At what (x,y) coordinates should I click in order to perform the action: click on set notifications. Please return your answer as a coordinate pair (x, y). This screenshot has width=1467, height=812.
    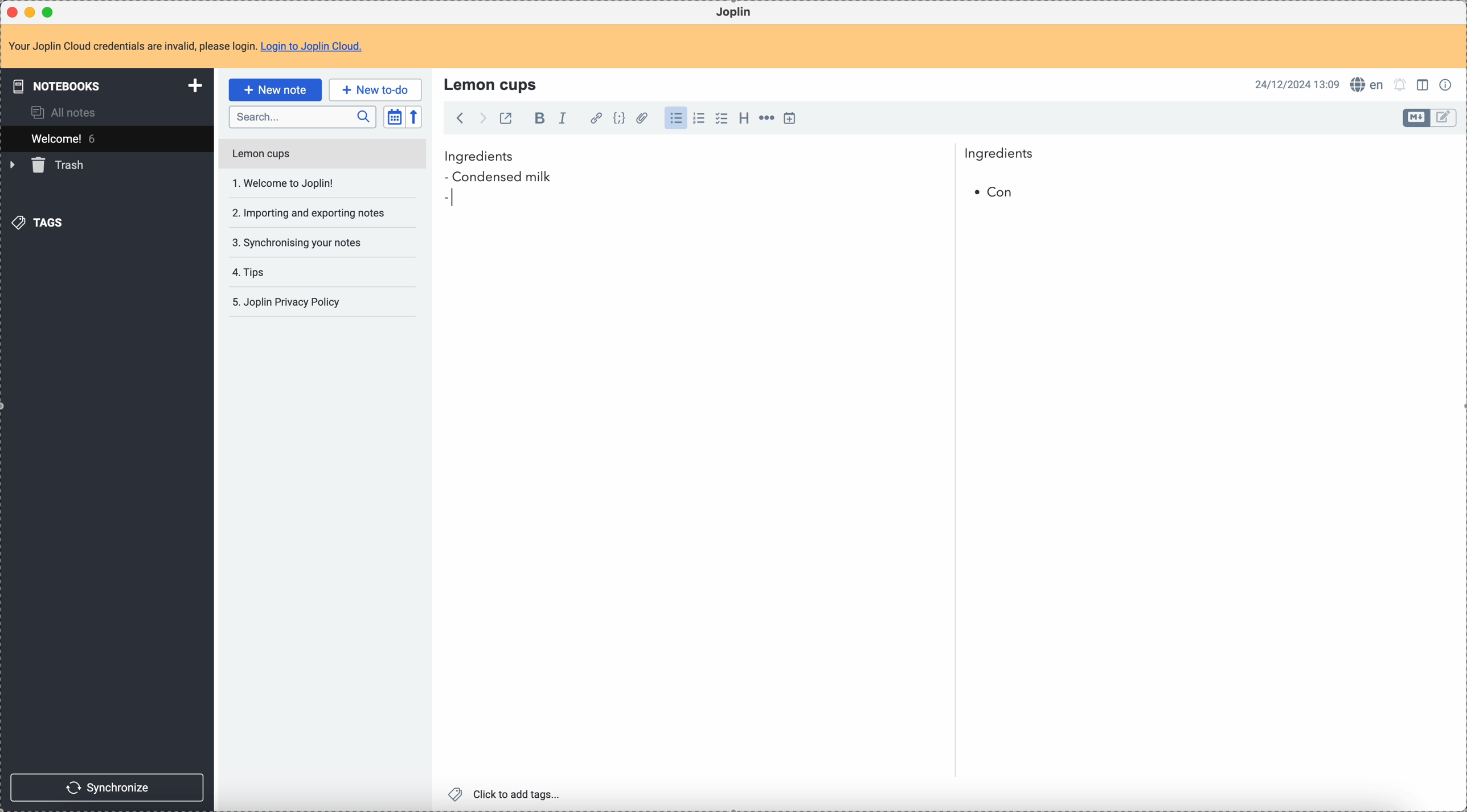
    Looking at the image, I should click on (1400, 84).